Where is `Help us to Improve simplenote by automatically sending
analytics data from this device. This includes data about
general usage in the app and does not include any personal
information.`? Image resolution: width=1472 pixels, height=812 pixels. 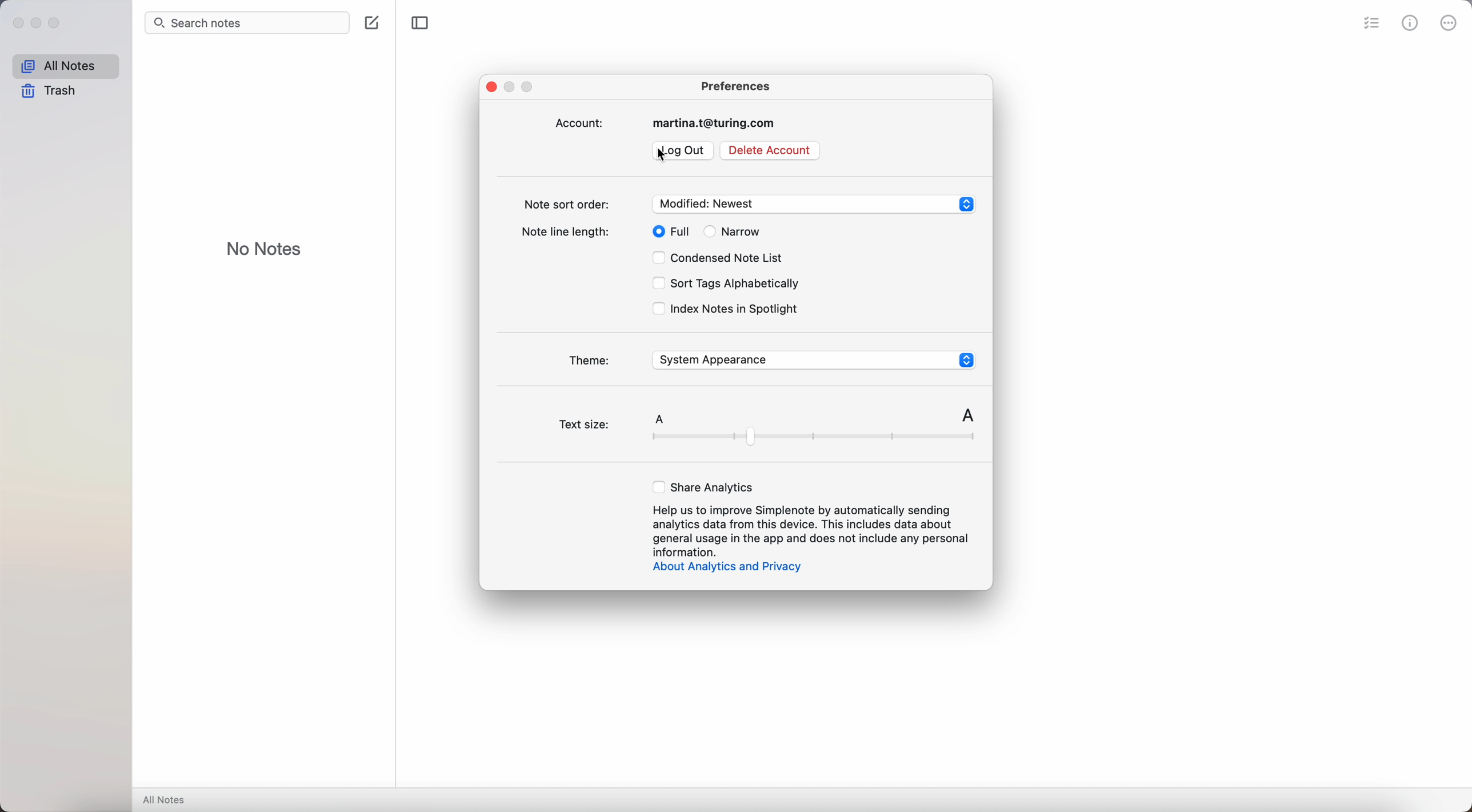
Help us to Improve simplenote by automatically sending
analytics data from this device. This includes data about
general usage in the app and does not include any personal
information. is located at coordinates (805, 529).